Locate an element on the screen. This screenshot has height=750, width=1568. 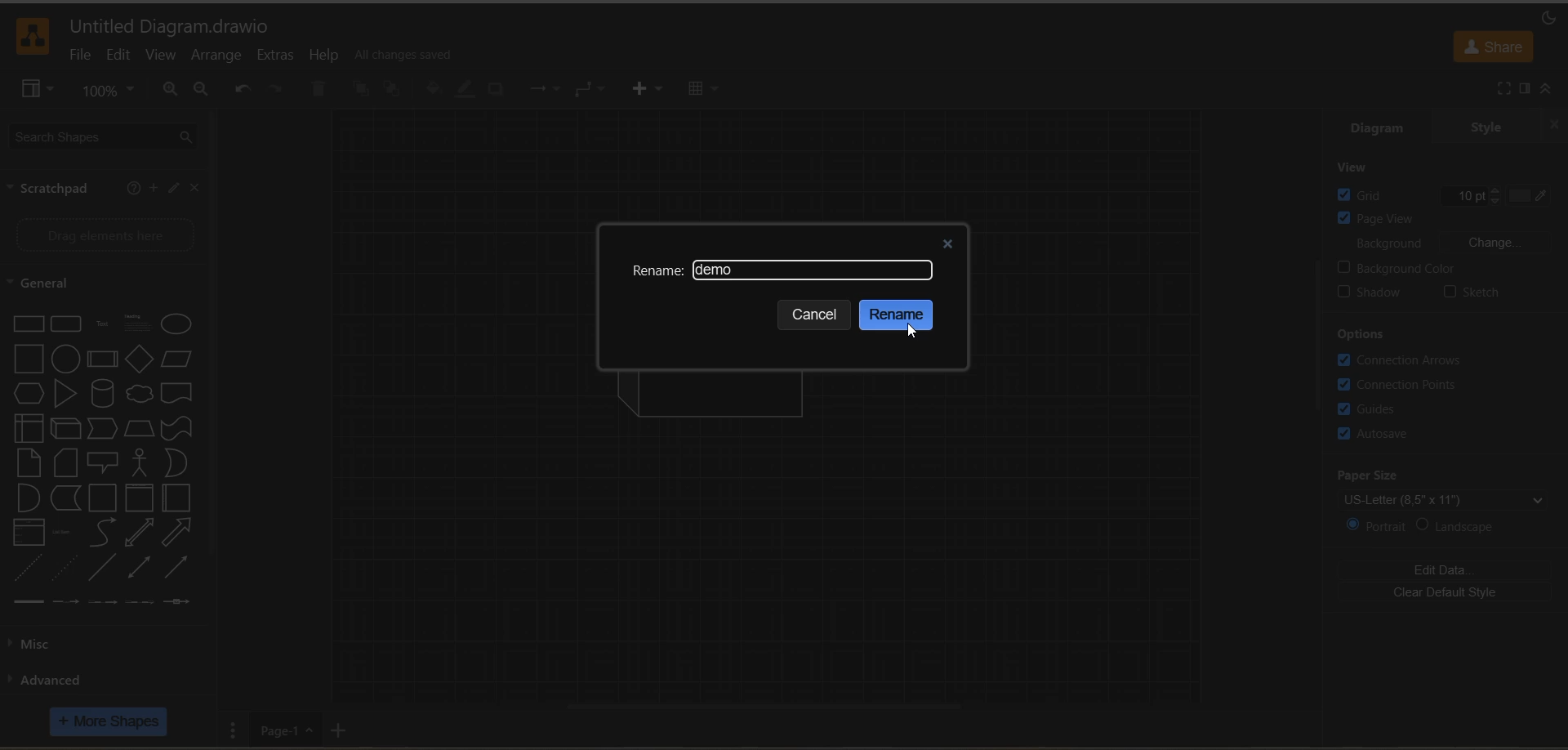
clear default style is located at coordinates (1445, 594).